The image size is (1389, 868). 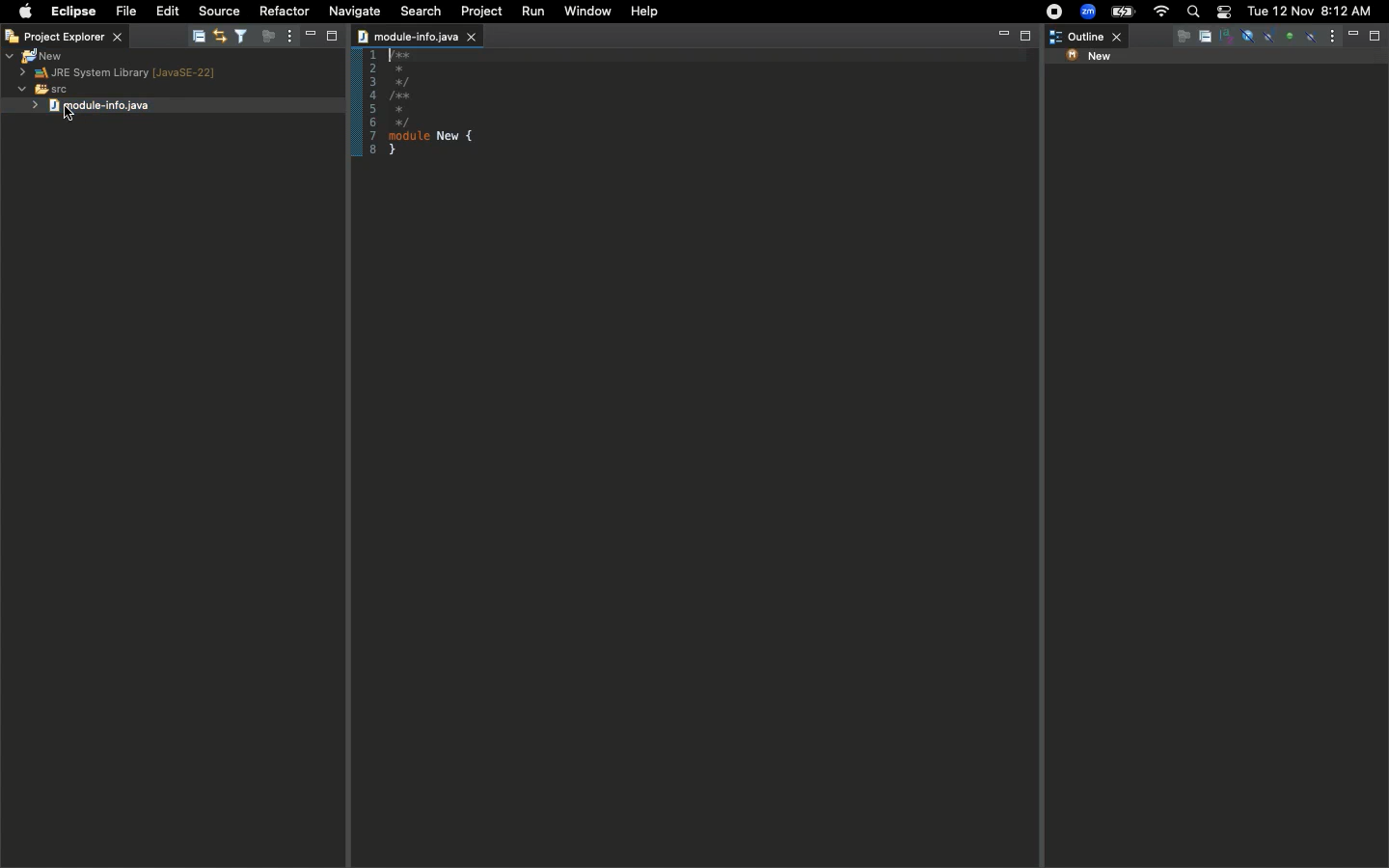 What do you see at coordinates (1223, 13) in the screenshot?
I see `Notification` at bounding box center [1223, 13].